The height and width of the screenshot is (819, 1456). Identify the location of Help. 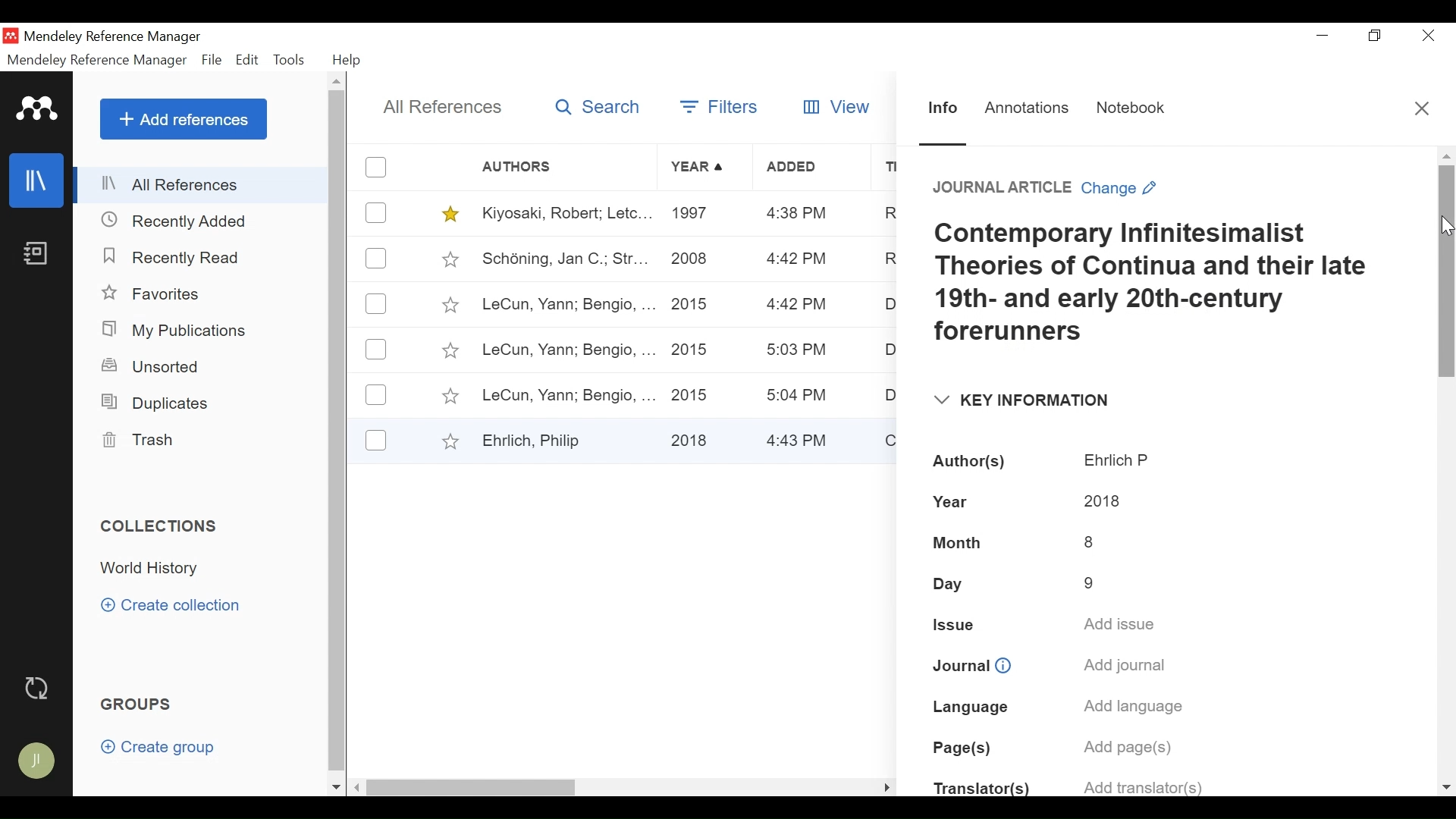
(347, 60).